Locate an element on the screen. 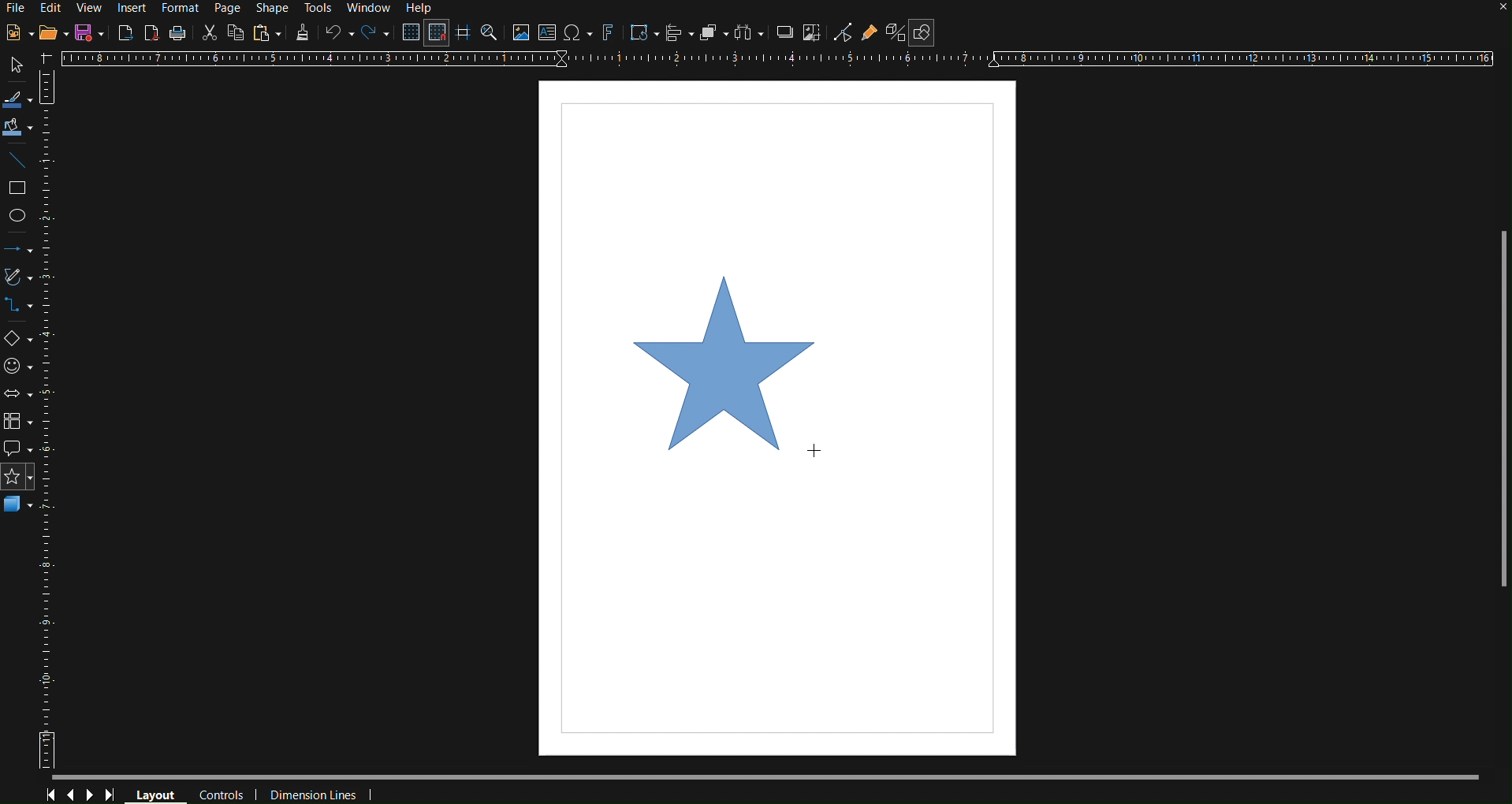  Layout is located at coordinates (155, 793).